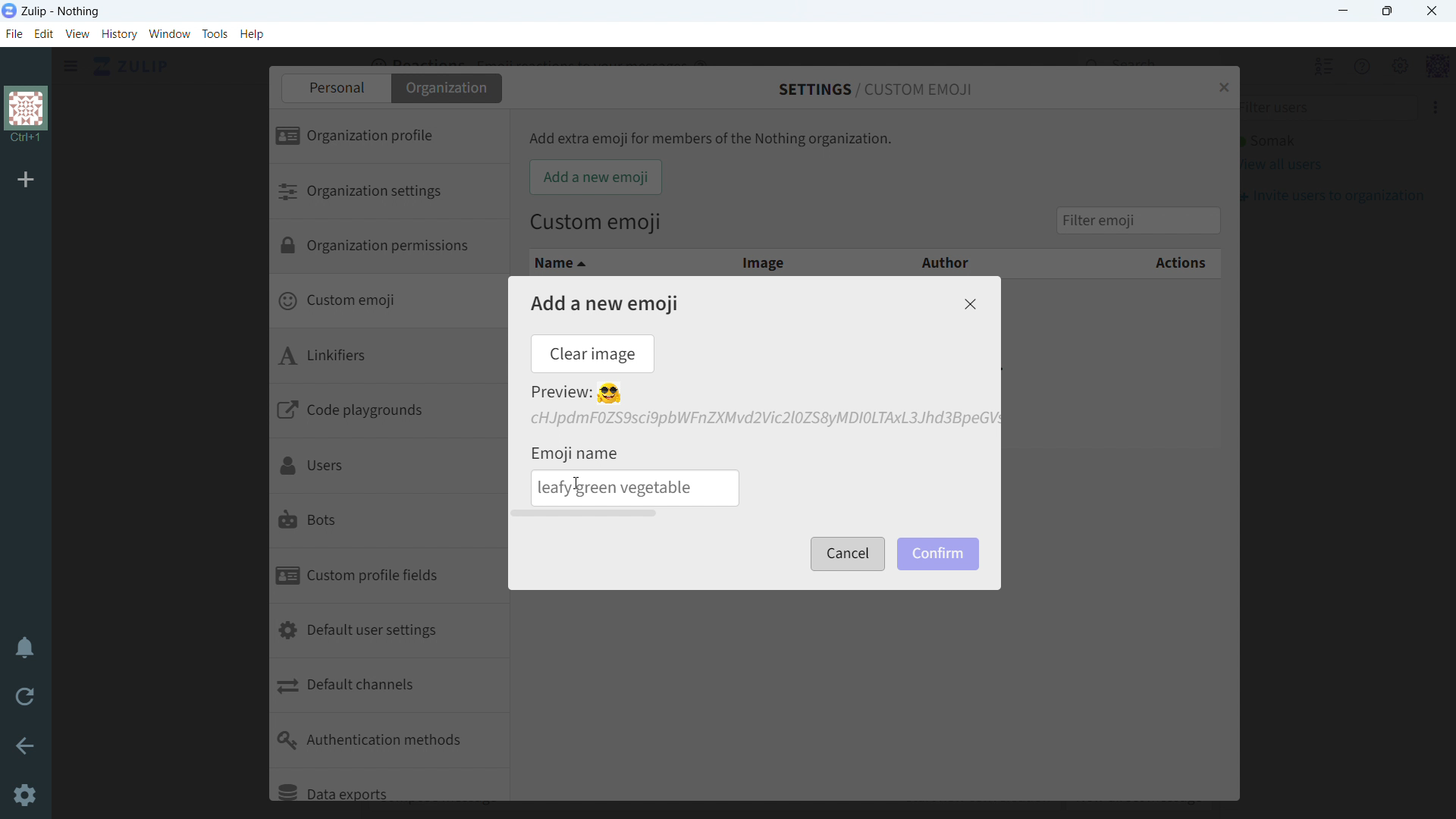 This screenshot has width=1456, height=819. I want to click on close, so click(1431, 11).